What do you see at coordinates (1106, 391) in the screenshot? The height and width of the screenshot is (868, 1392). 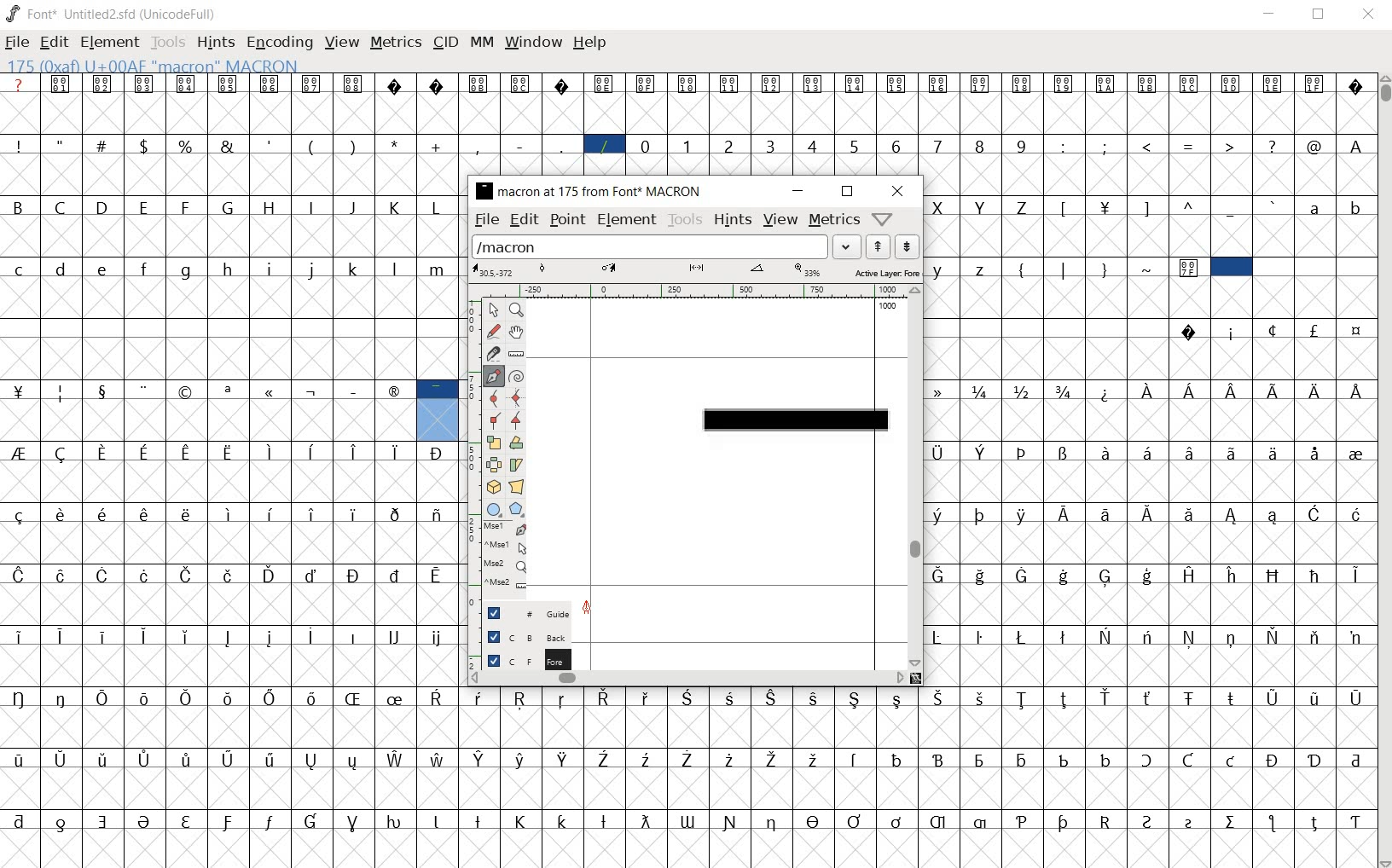 I see `Symbol` at bounding box center [1106, 391].